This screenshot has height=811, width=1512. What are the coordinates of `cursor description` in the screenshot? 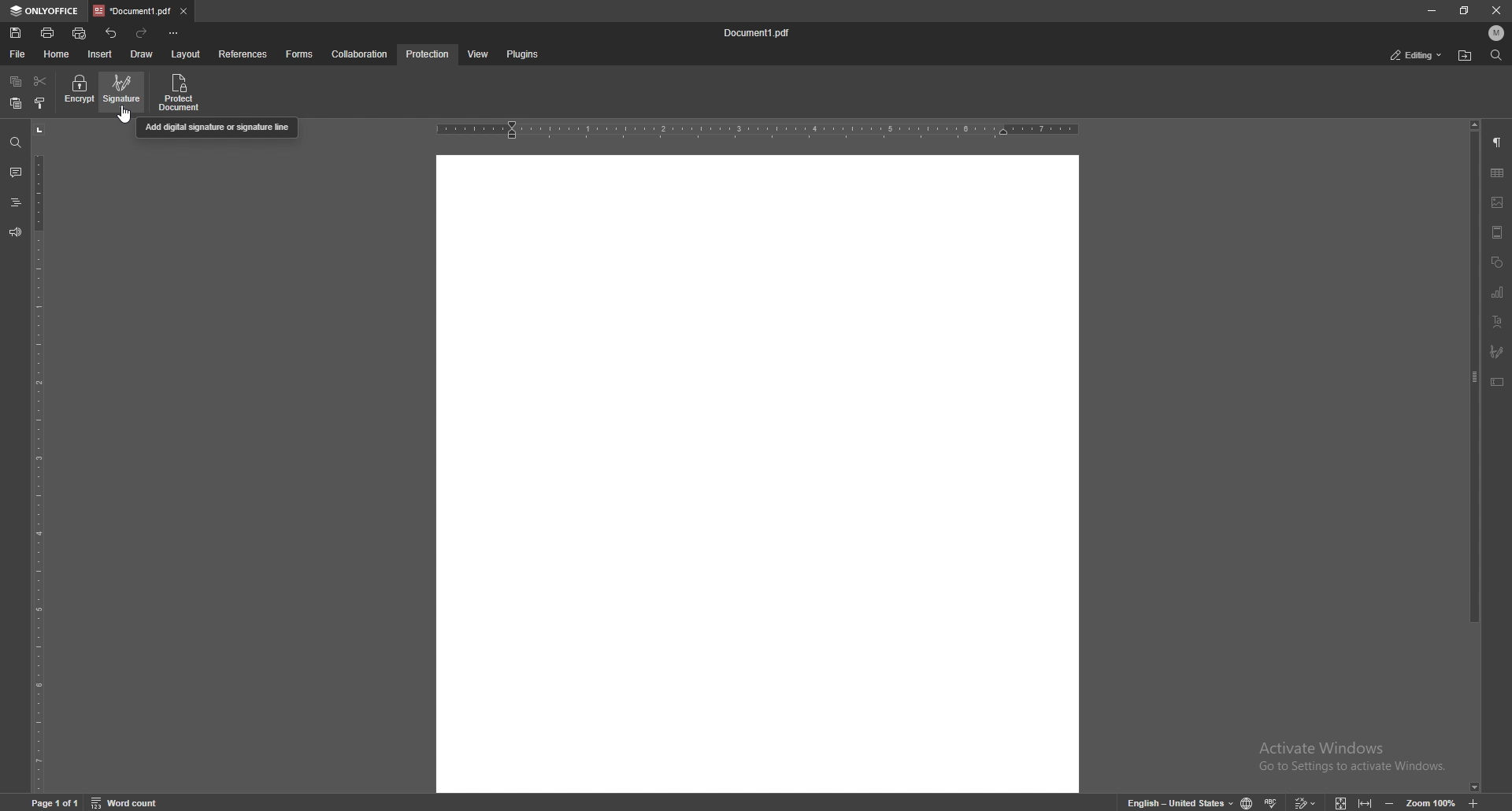 It's located at (215, 127).